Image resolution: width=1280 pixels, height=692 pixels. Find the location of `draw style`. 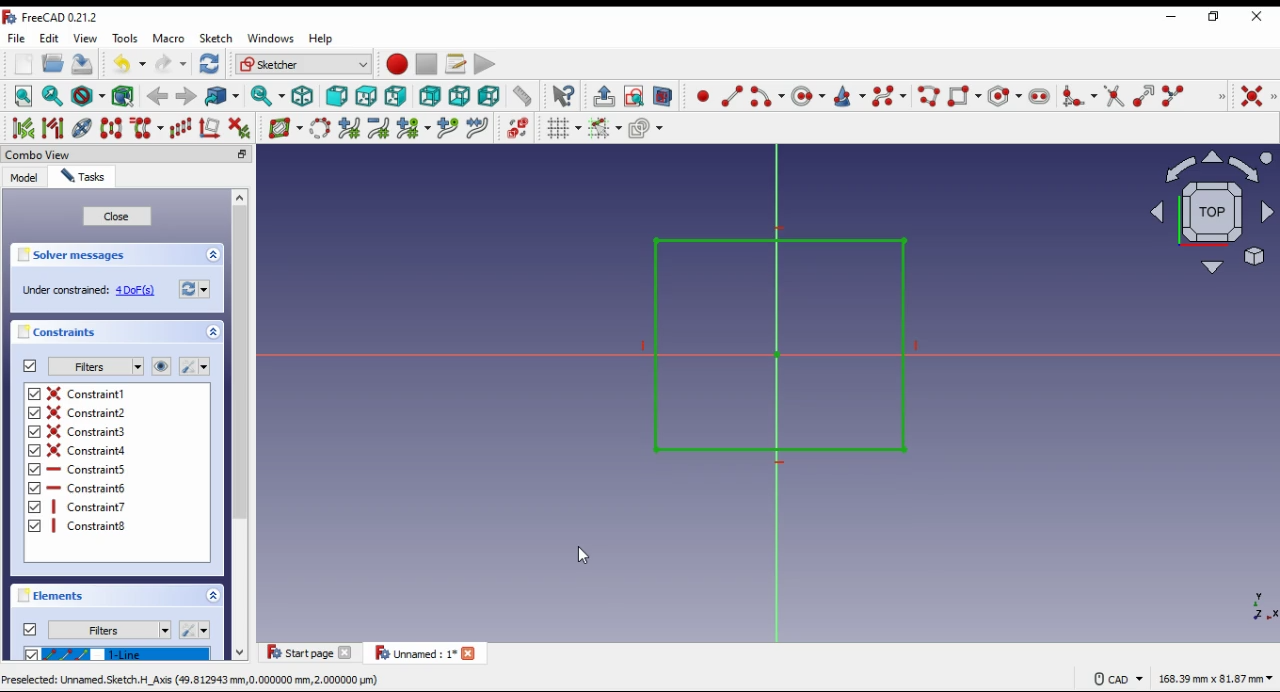

draw style is located at coordinates (89, 96).